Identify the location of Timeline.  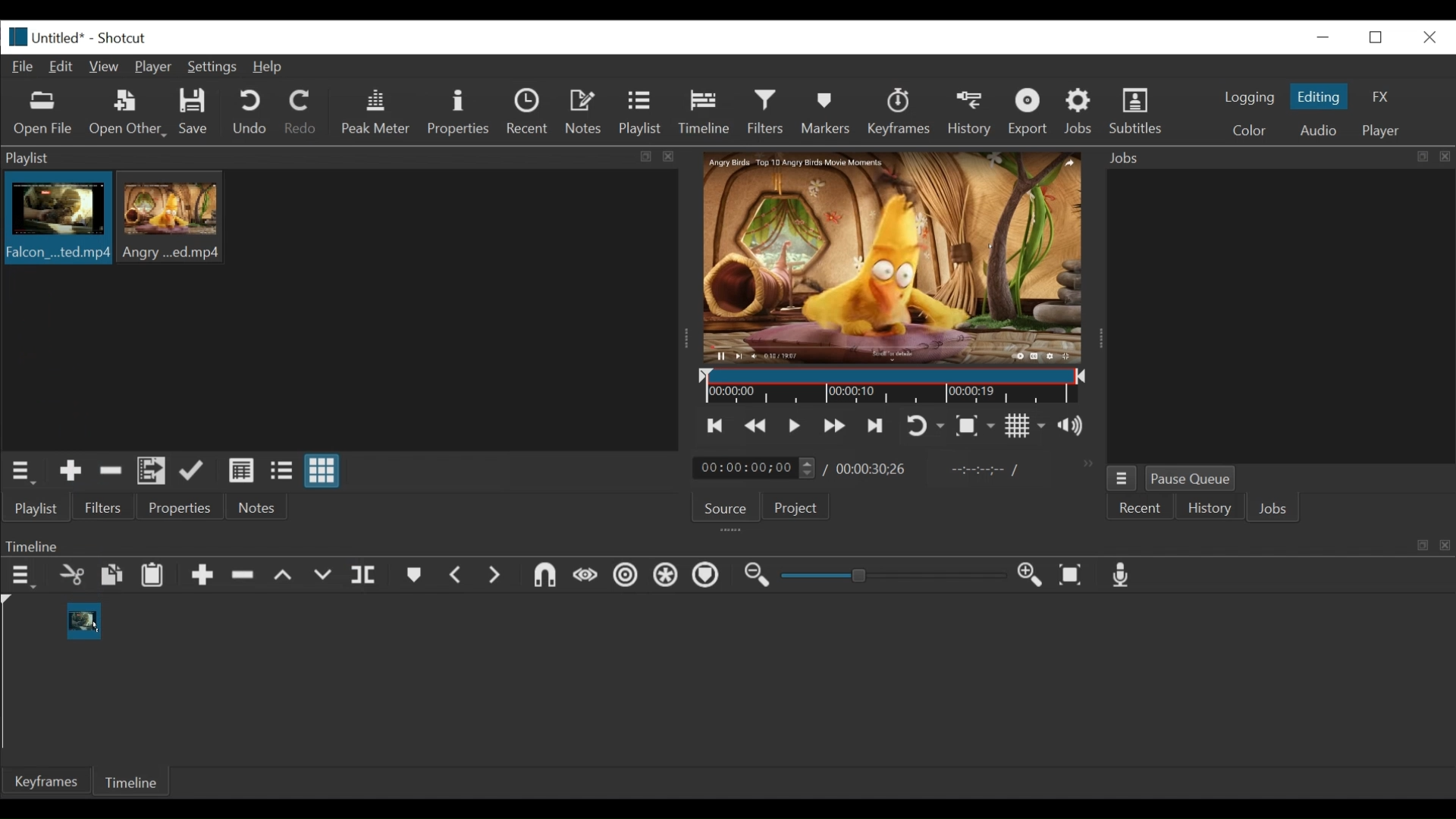
(708, 109).